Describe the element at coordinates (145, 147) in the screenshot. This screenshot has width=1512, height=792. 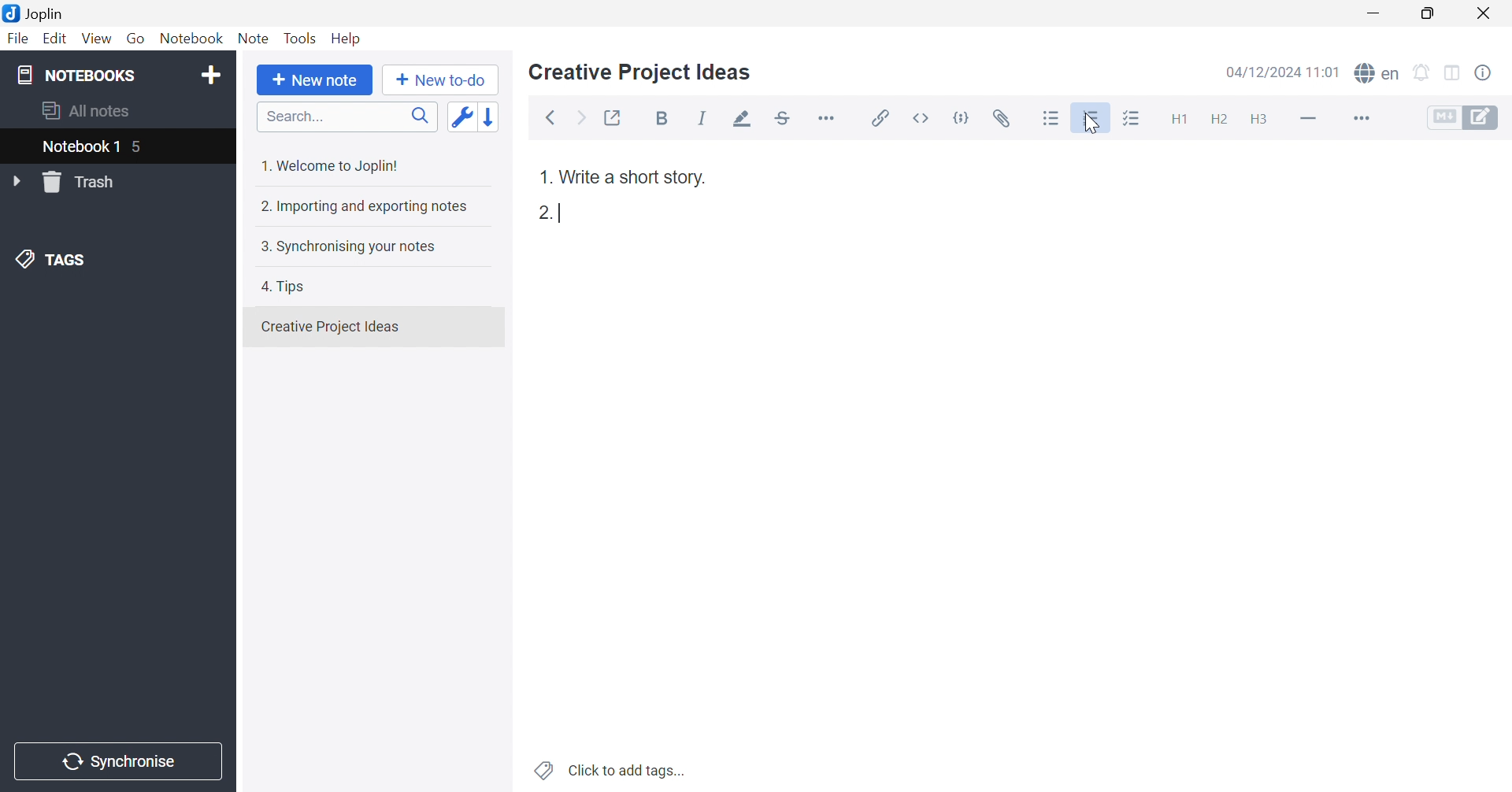
I see `5` at that location.